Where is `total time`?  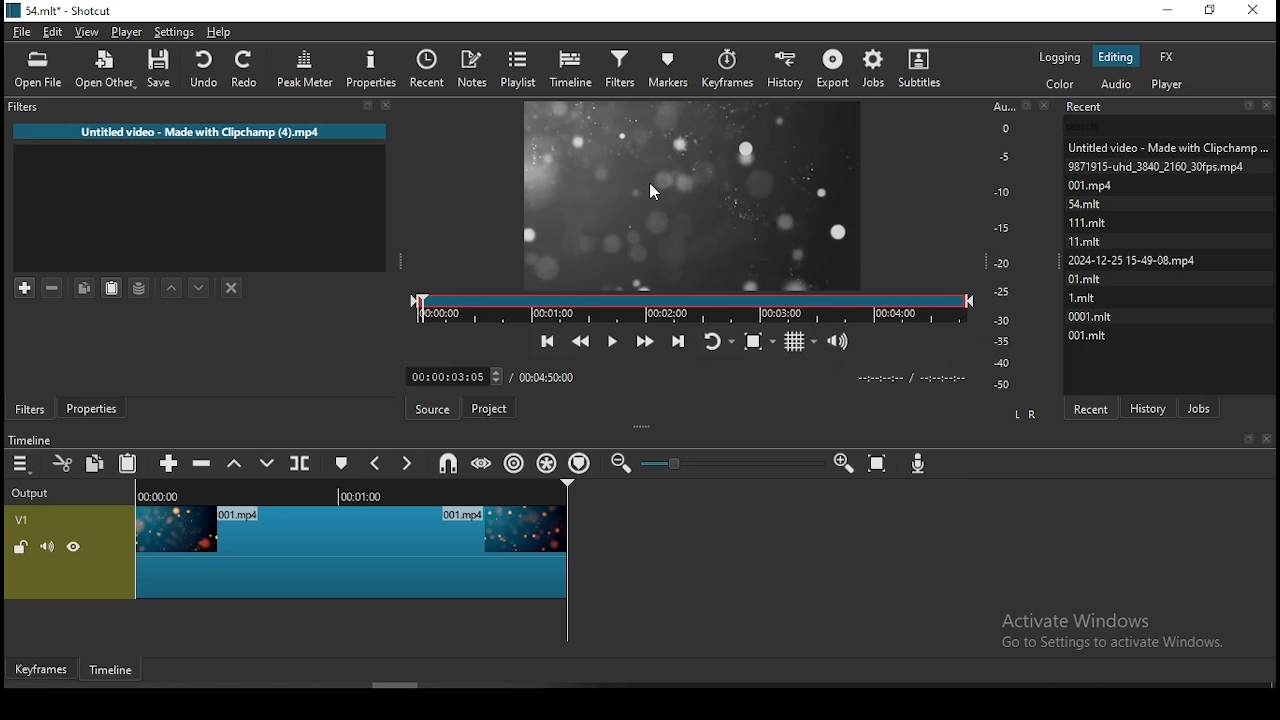 total time is located at coordinates (549, 376).